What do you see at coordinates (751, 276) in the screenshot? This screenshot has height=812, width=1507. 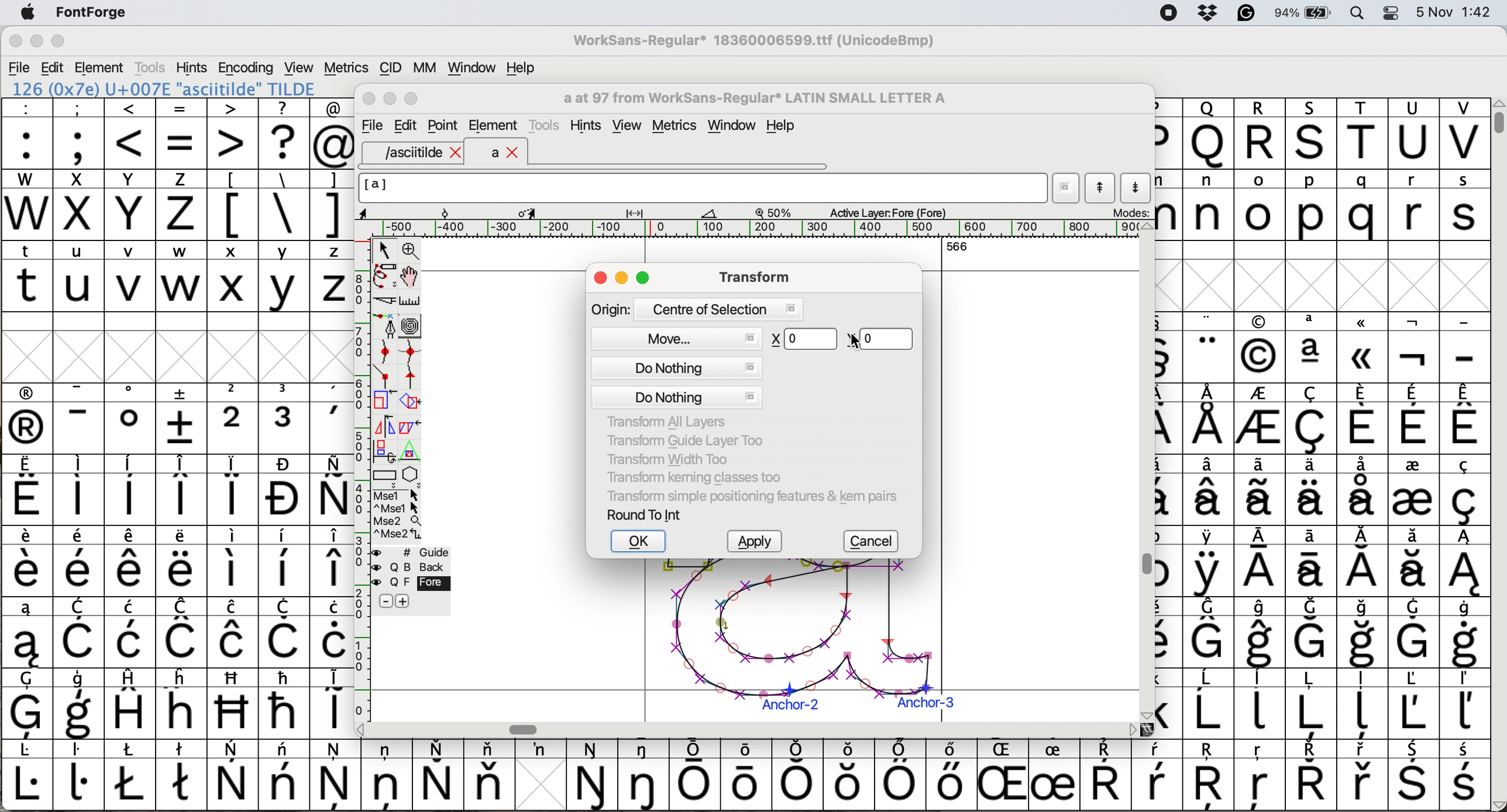 I see `transform` at bounding box center [751, 276].